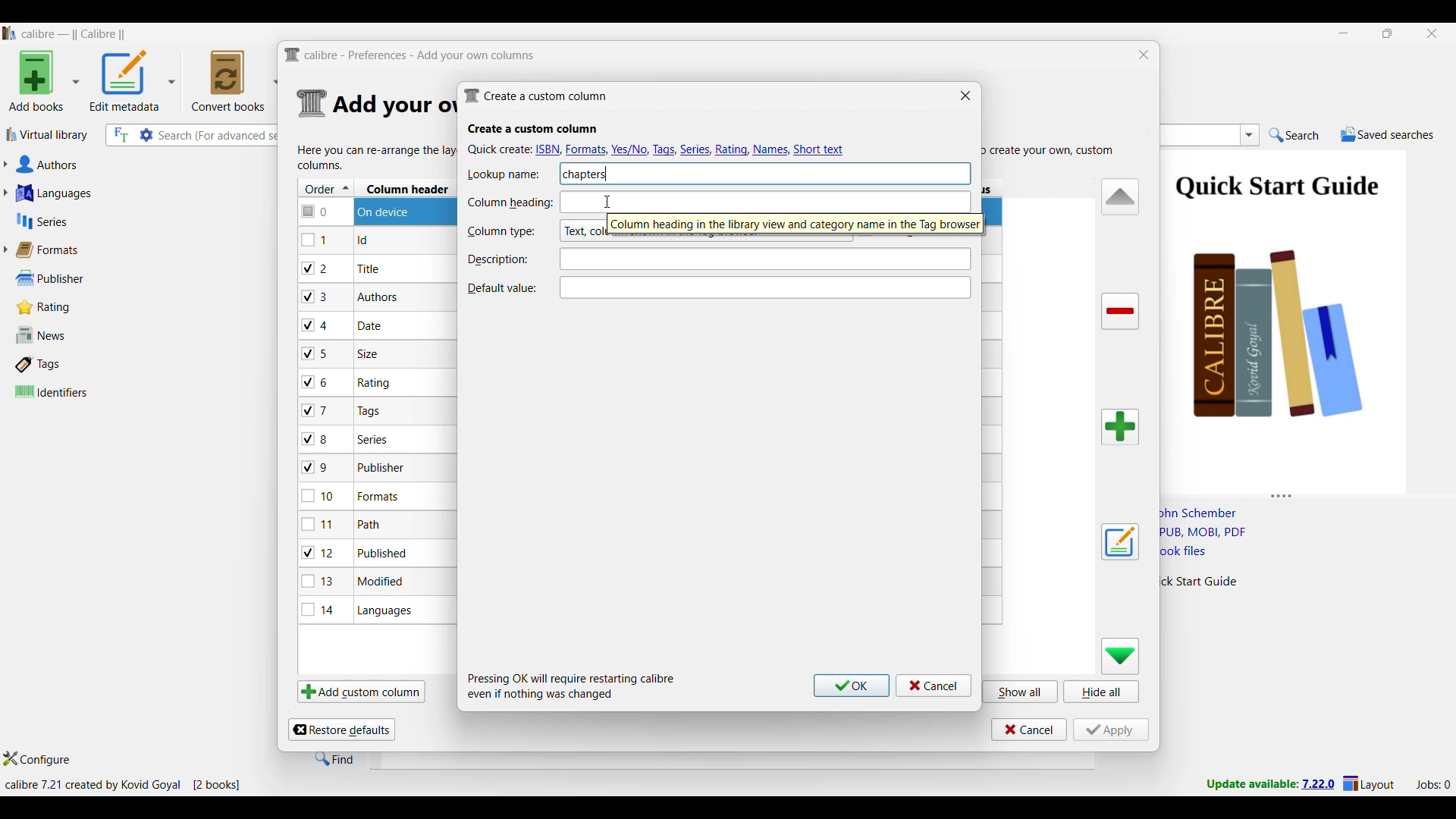 The height and width of the screenshot is (819, 1456). What do you see at coordinates (658, 149) in the screenshot?
I see `Quick create options` at bounding box center [658, 149].